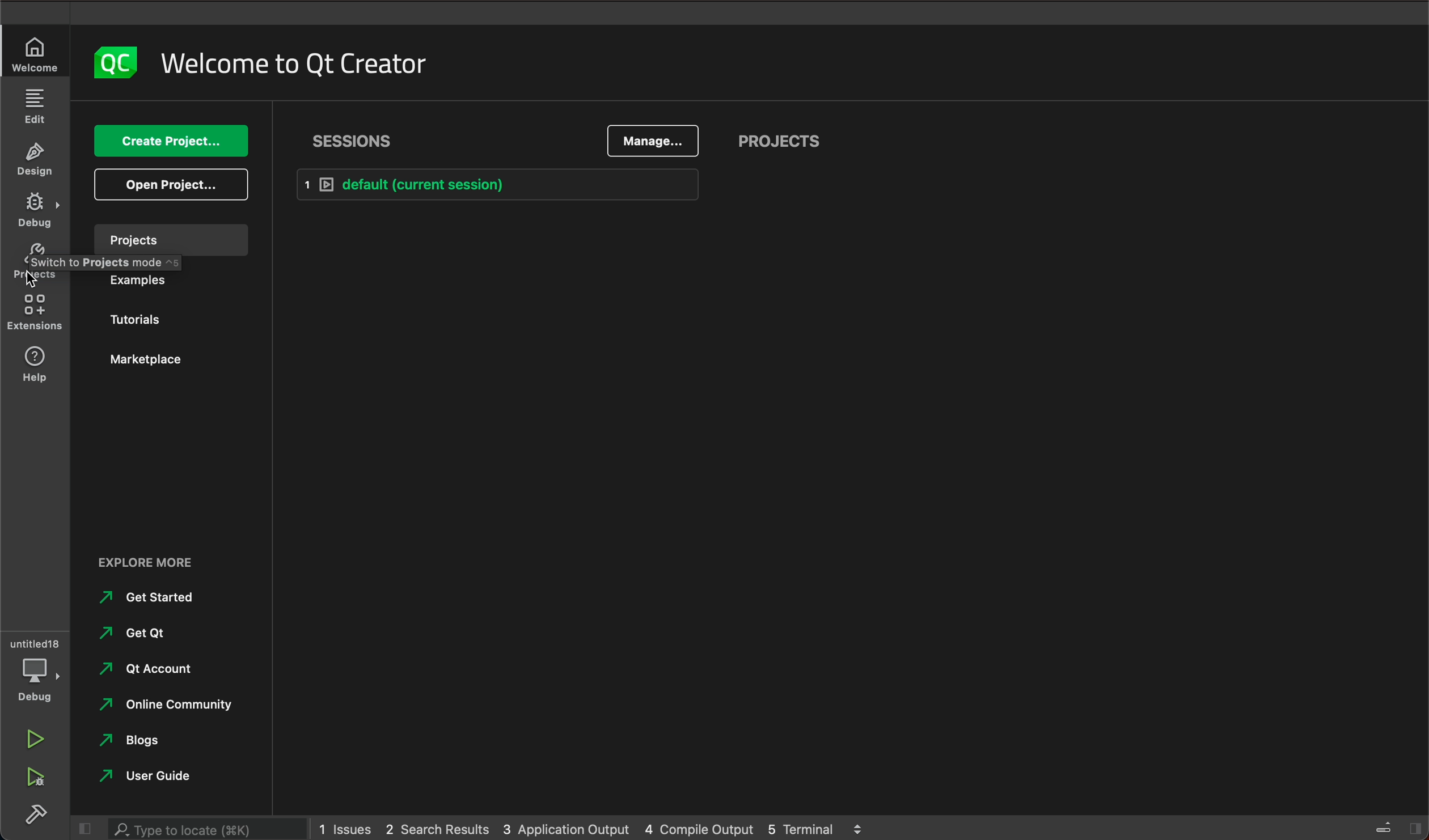  I want to click on close slidebar, so click(1384, 826).